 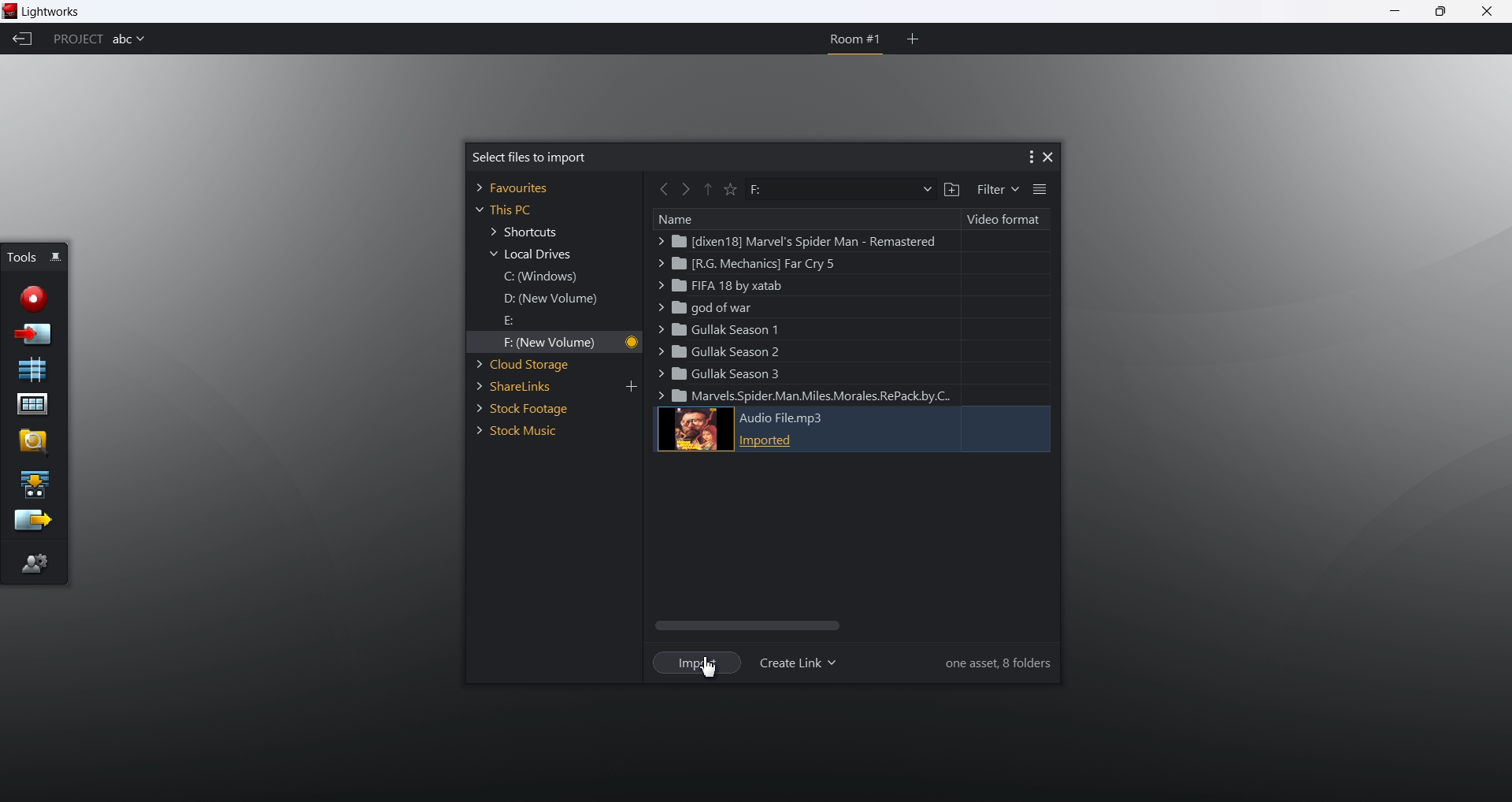 What do you see at coordinates (519, 388) in the screenshot?
I see `share links` at bounding box center [519, 388].